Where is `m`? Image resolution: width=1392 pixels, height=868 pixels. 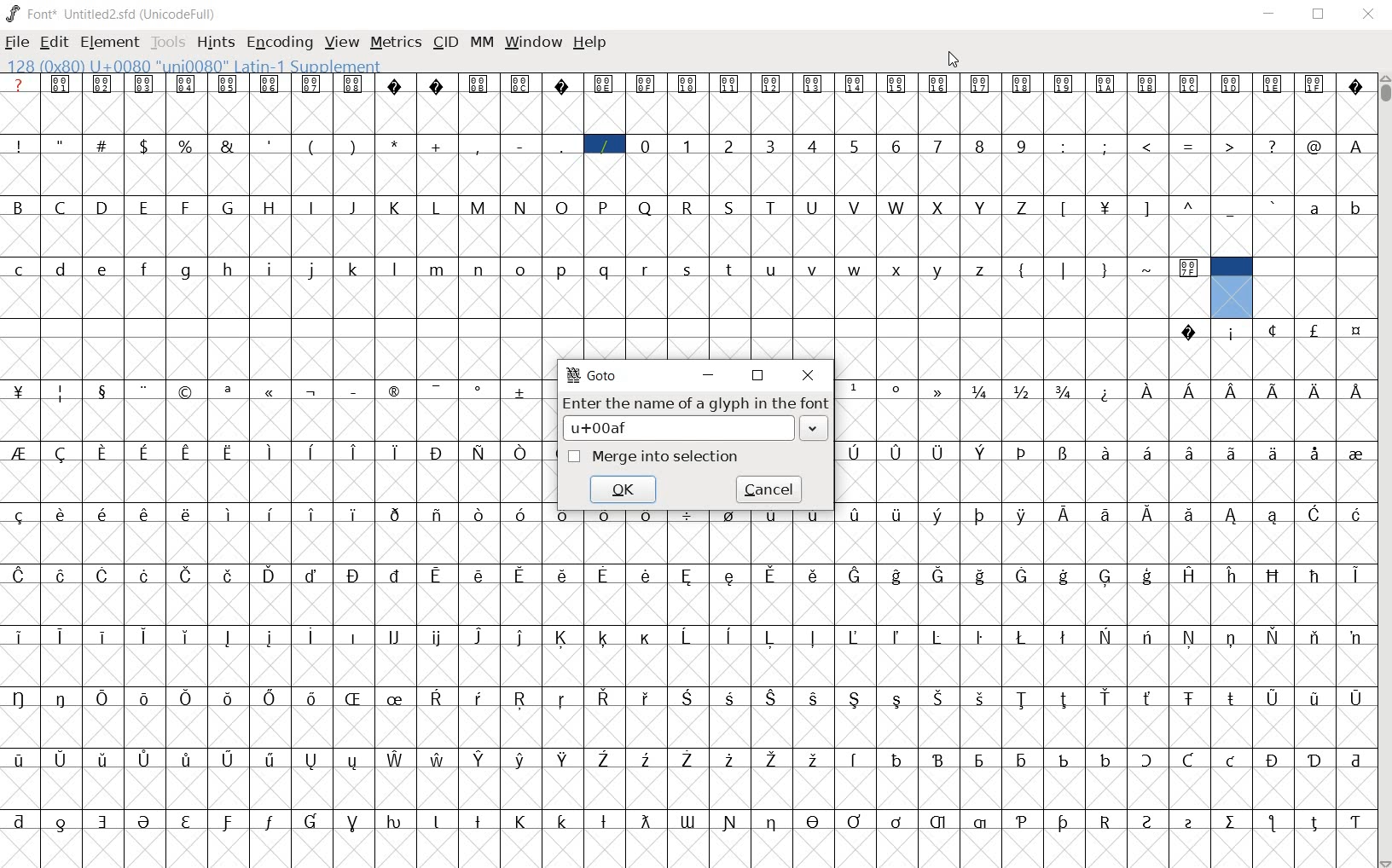 m is located at coordinates (438, 268).